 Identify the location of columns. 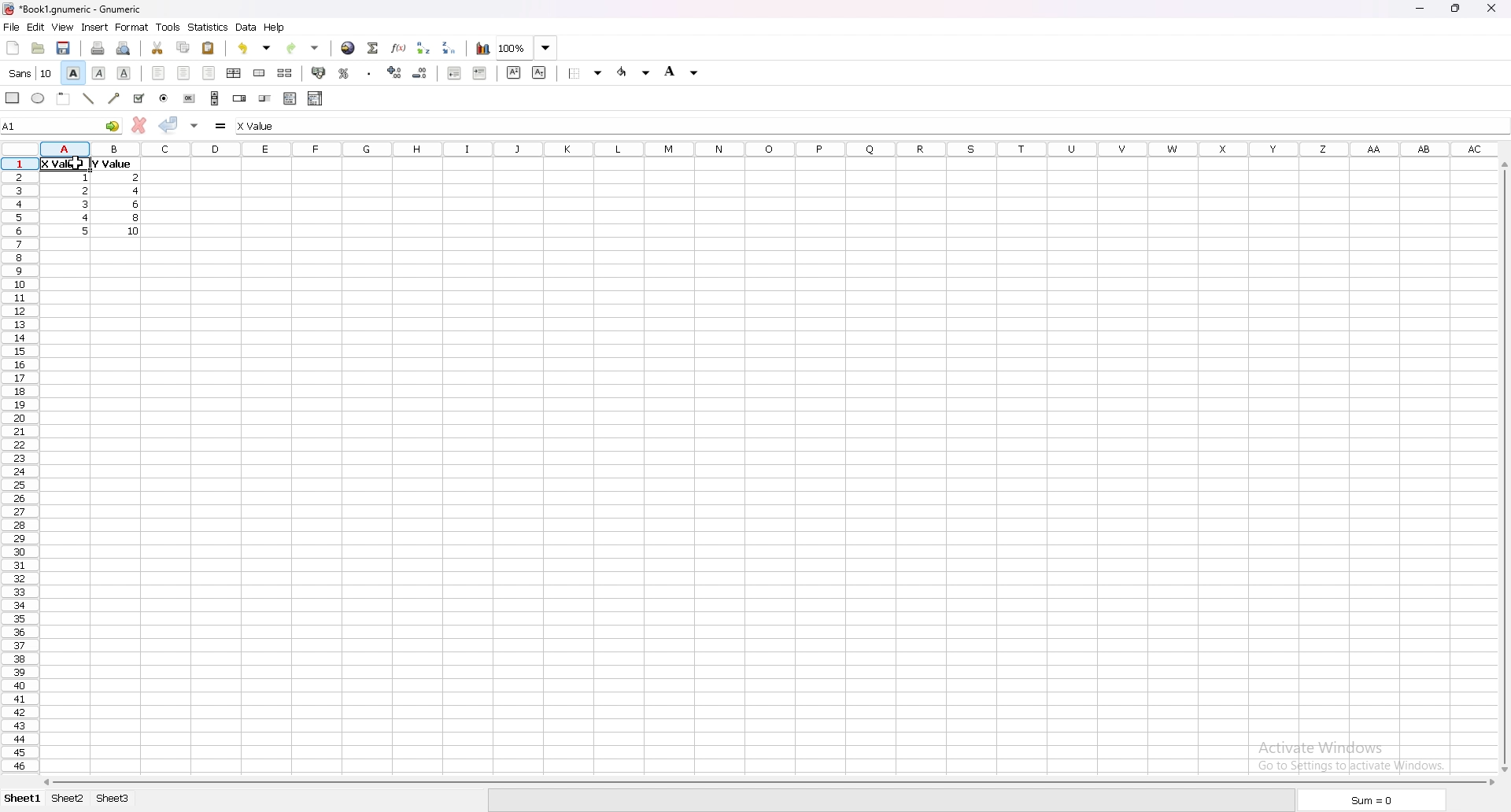
(798, 147).